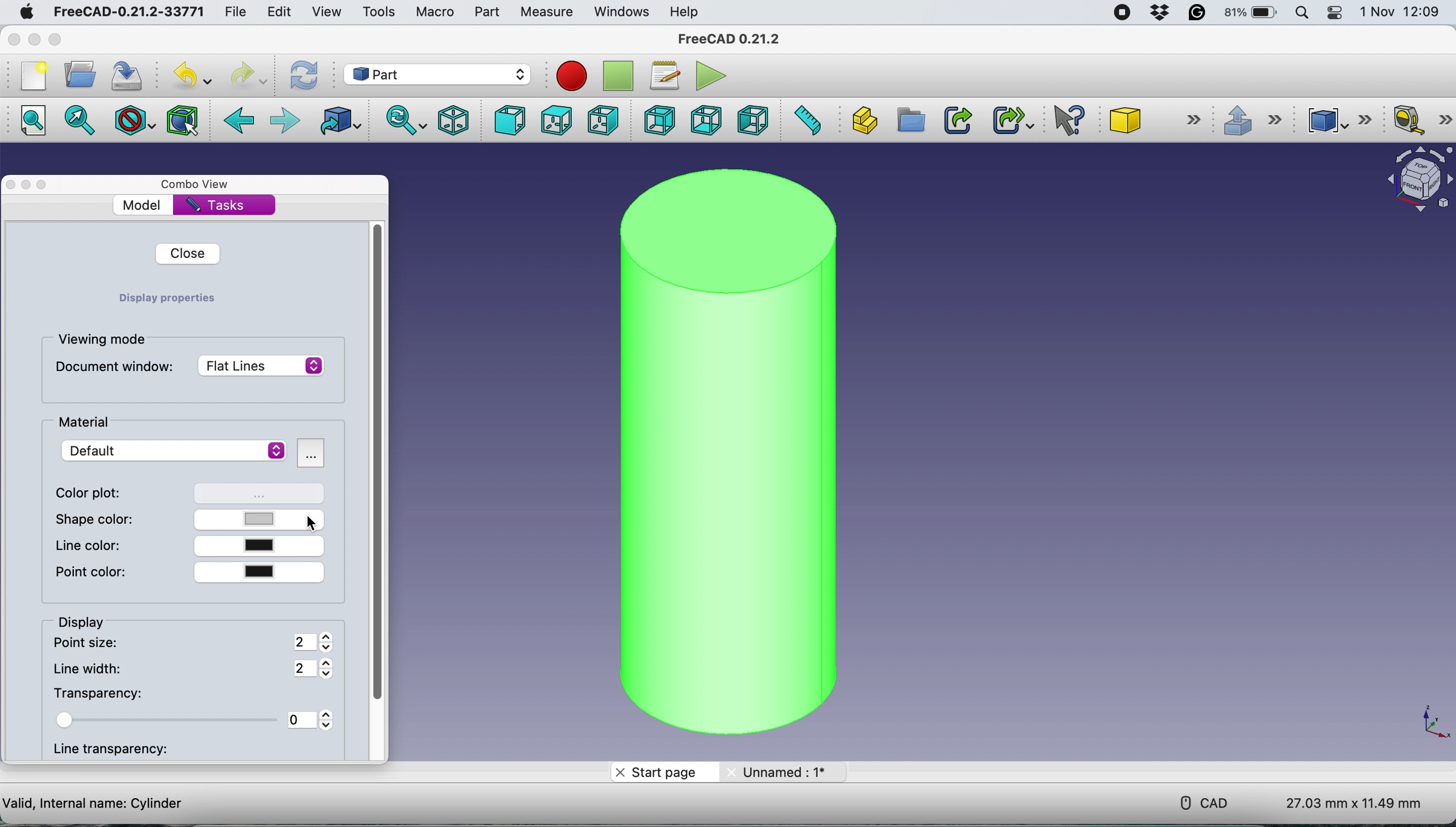  I want to click on point size, so click(194, 643).